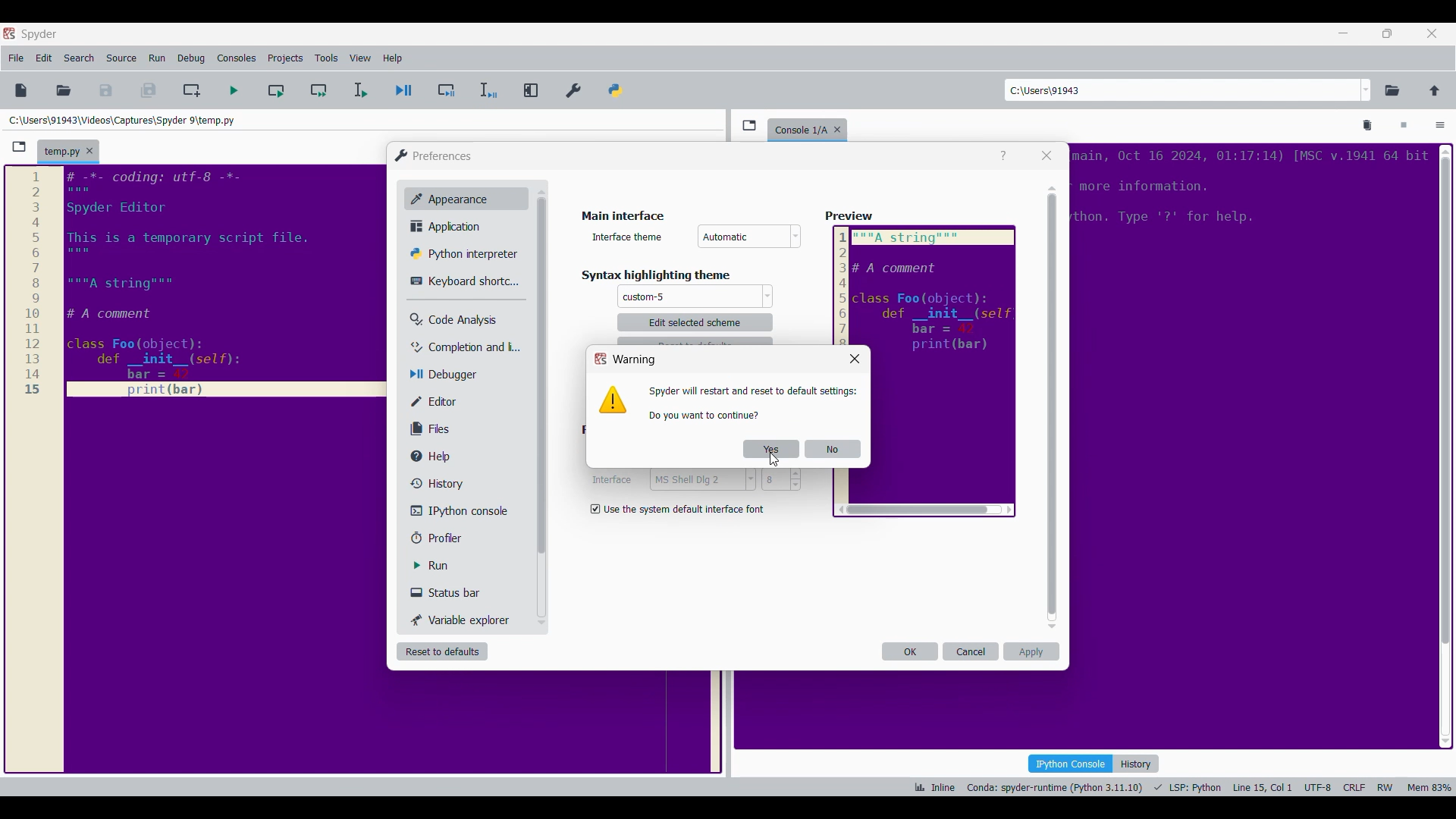 This screenshot has width=1456, height=819. What do you see at coordinates (727, 403) in the screenshot?
I see `Window logo and description` at bounding box center [727, 403].